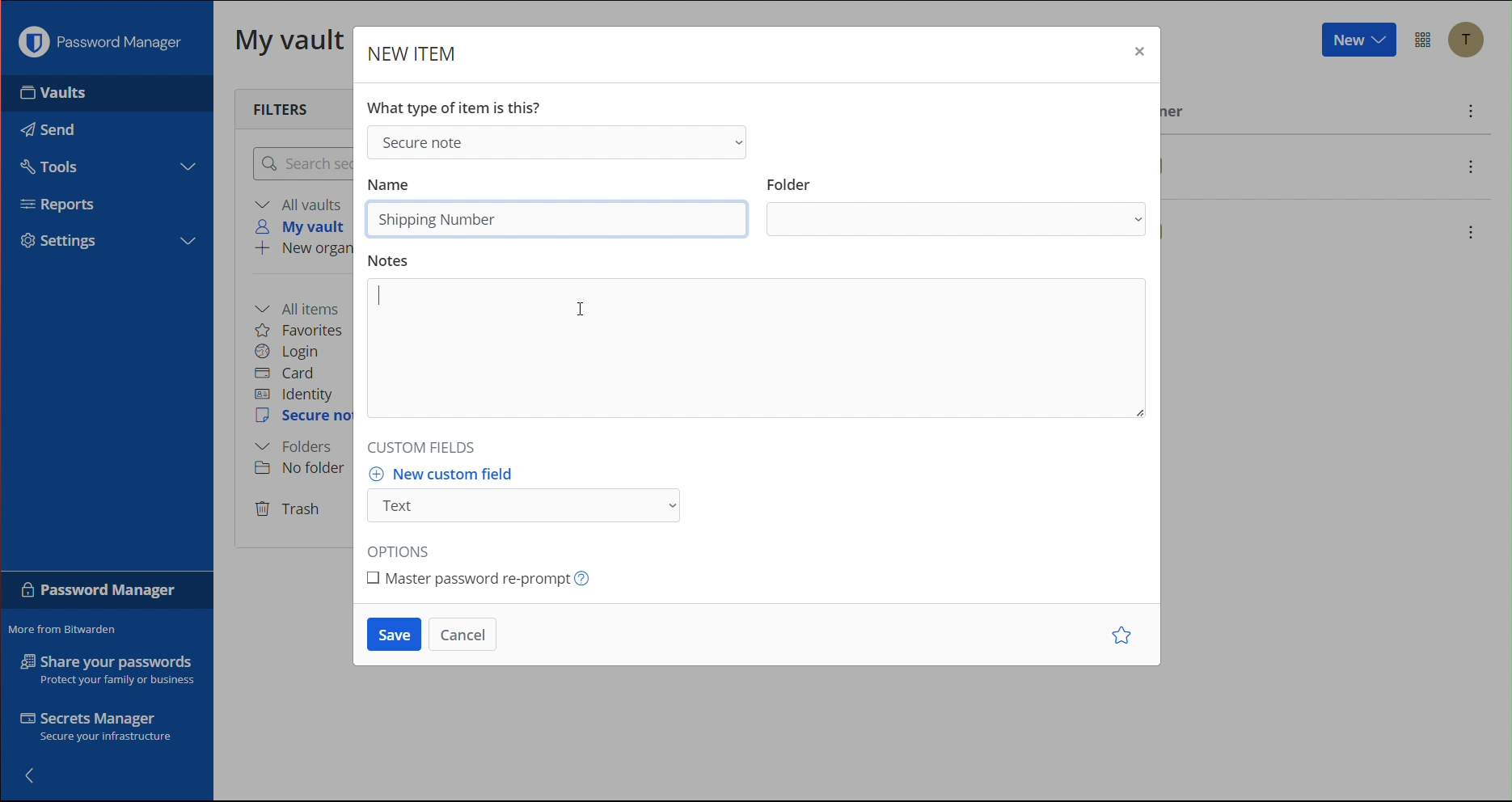 Image resolution: width=1512 pixels, height=802 pixels. I want to click on Folders, so click(298, 446).